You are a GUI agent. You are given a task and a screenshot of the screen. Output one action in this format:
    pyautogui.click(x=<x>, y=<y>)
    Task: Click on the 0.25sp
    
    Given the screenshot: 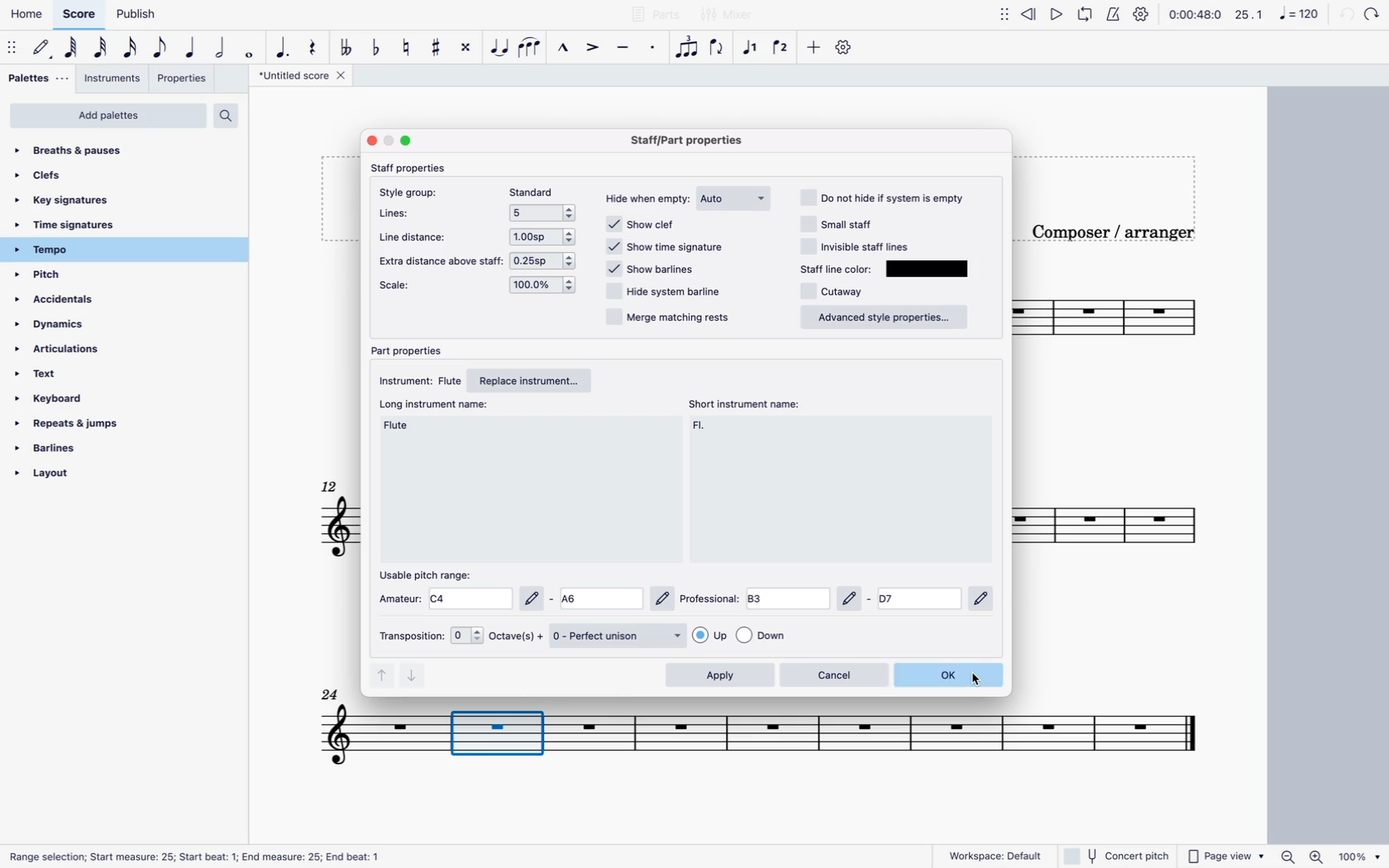 What is the action you would take?
    pyautogui.click(x=545, y=261)
    